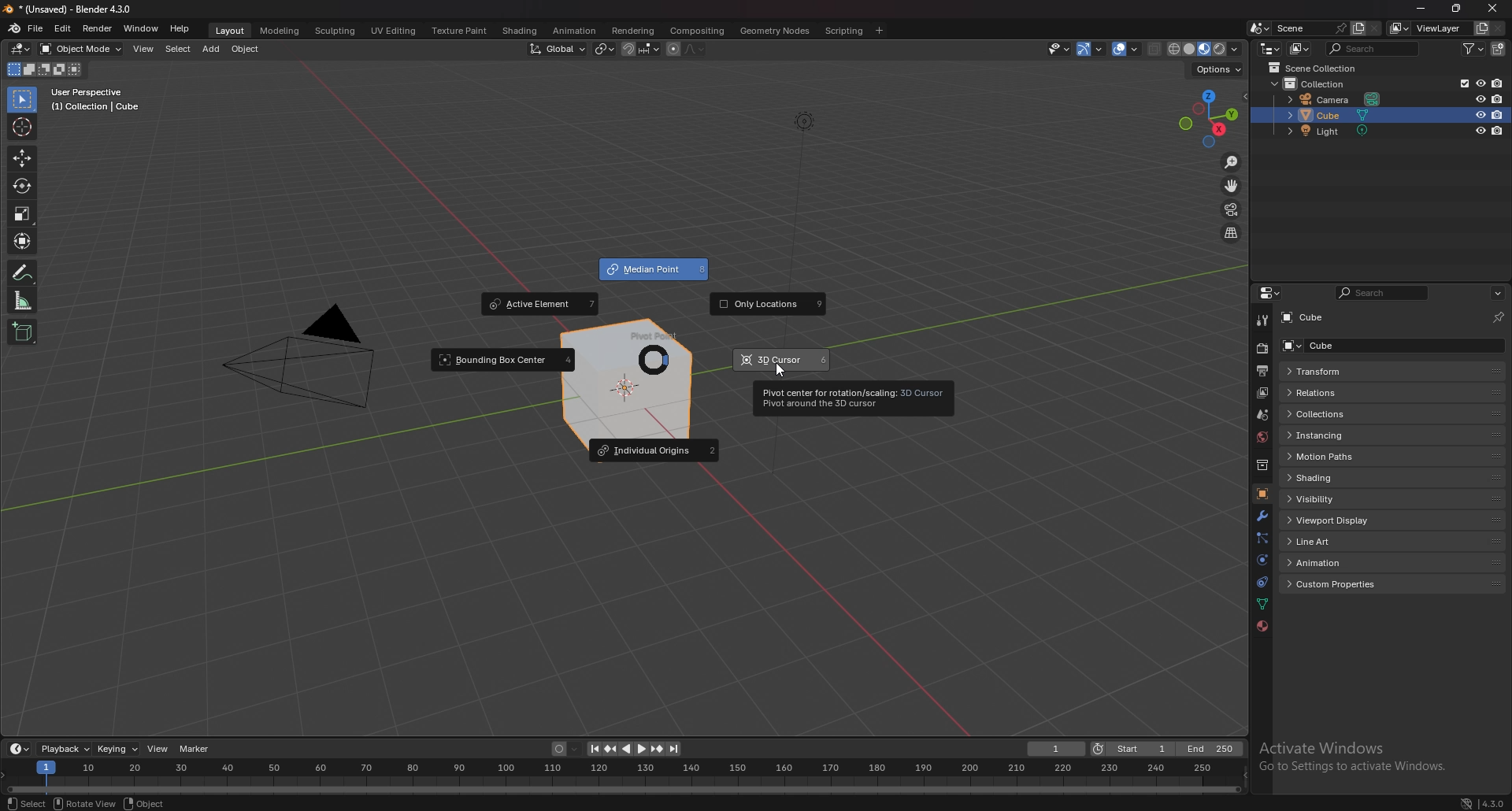 This screenshot has height=811, width=1512. I want to click on display mode, so click(1299, 49).